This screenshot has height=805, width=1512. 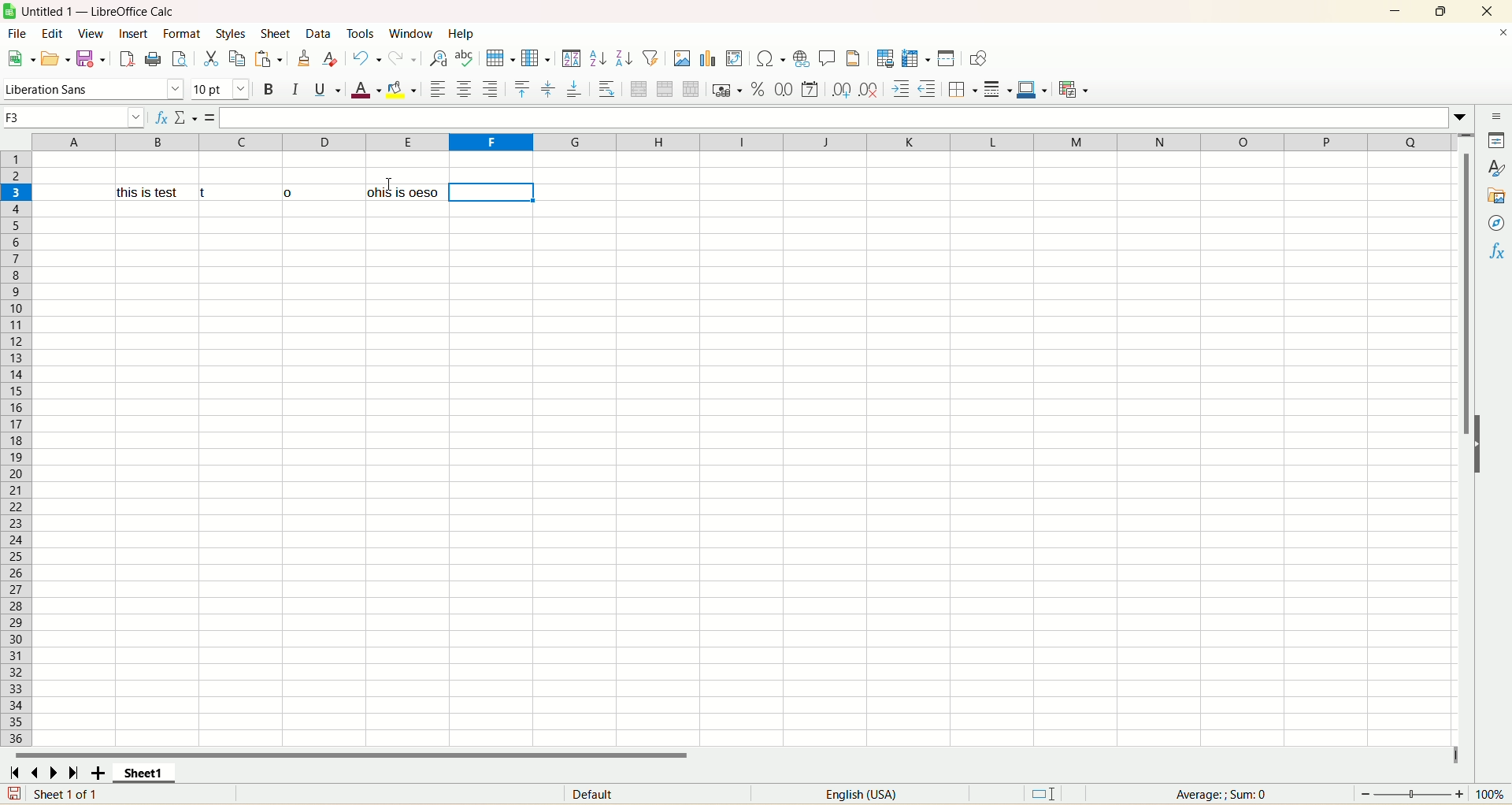 What do you see at coordinates (623, 60) in the screenshot?
I see `sort descending` at bounding box center [623, 60].